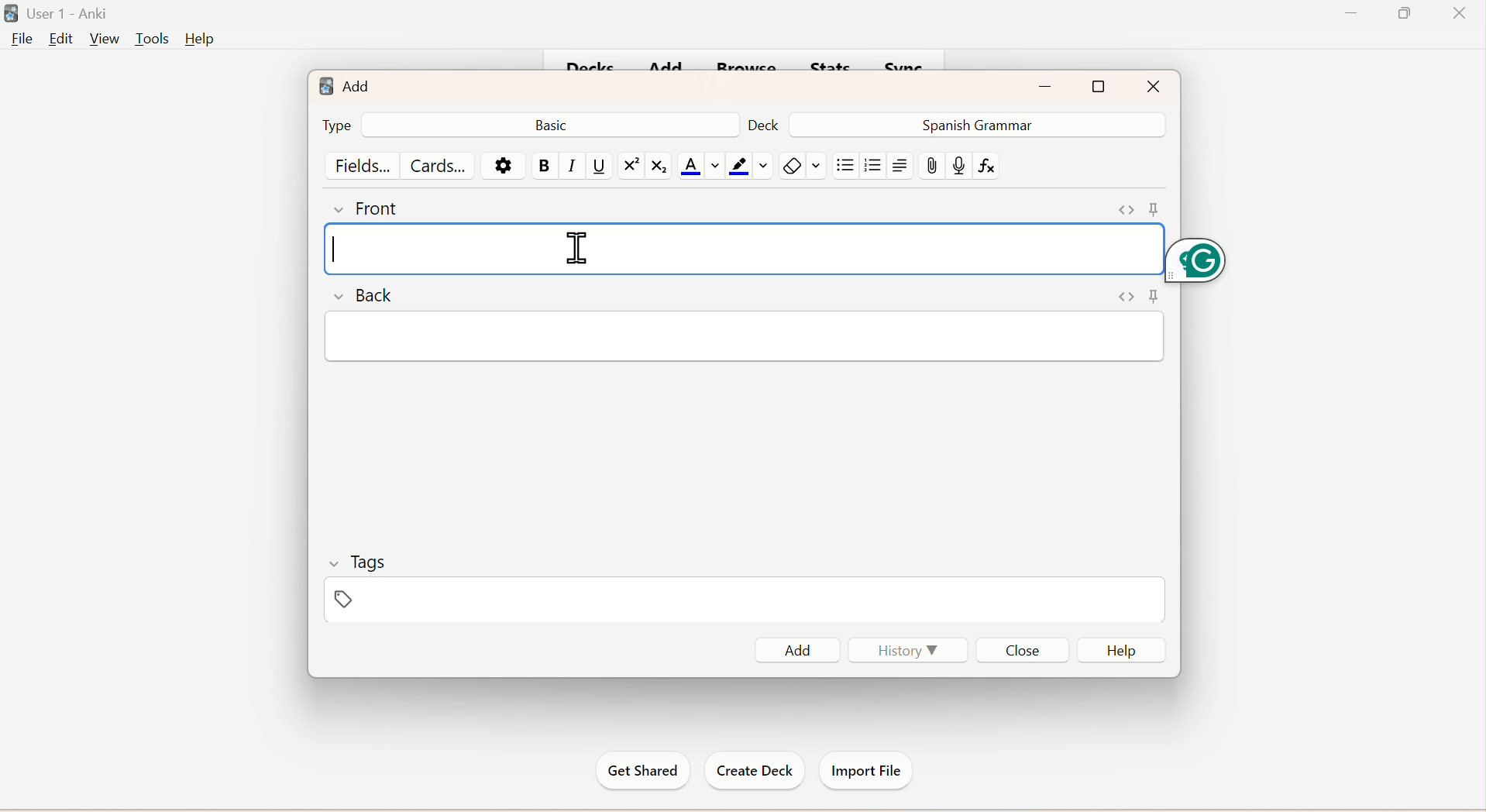  I want to click on typing cursor, so click(335, 248).